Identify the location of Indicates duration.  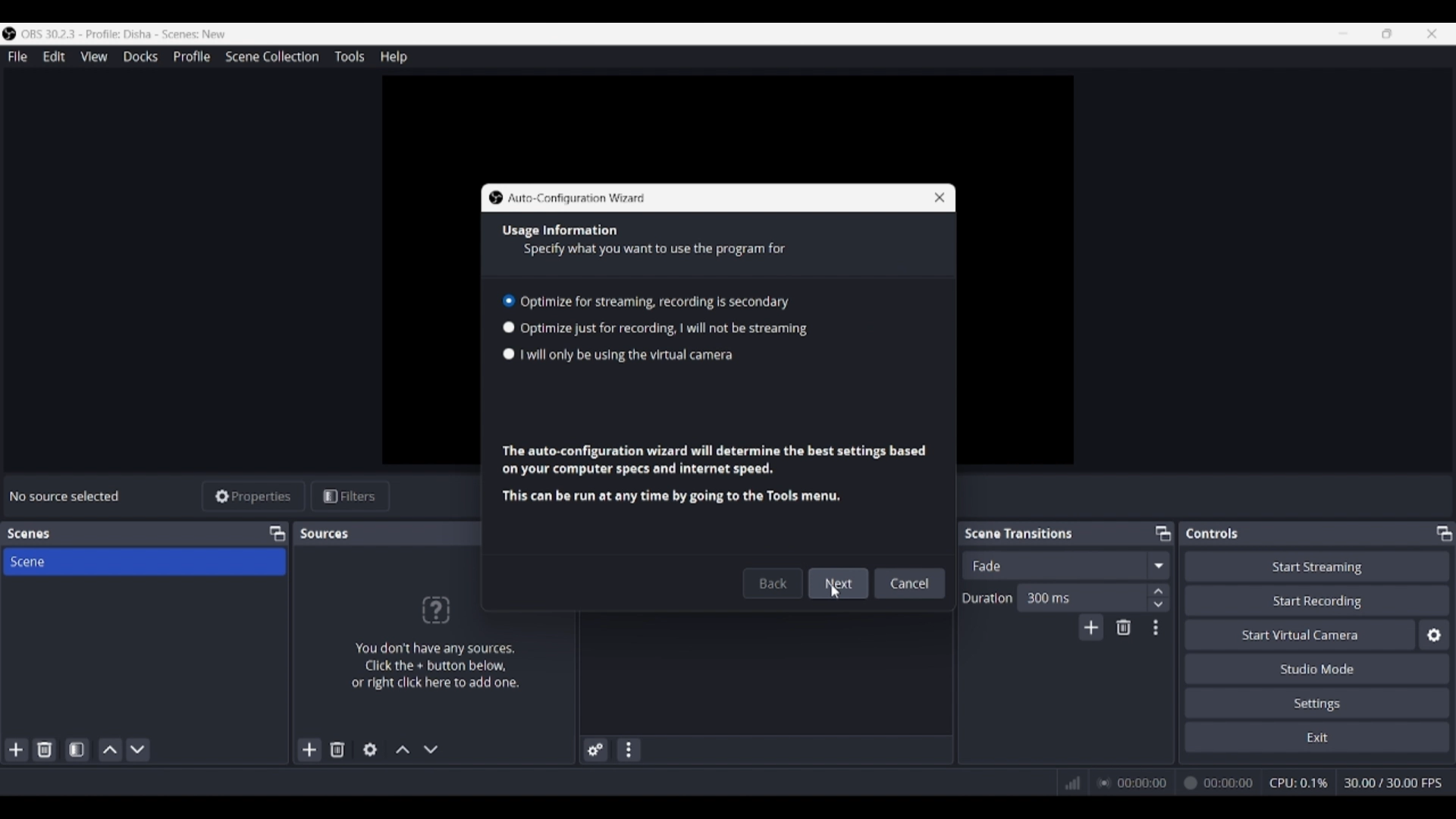
(987, 598).